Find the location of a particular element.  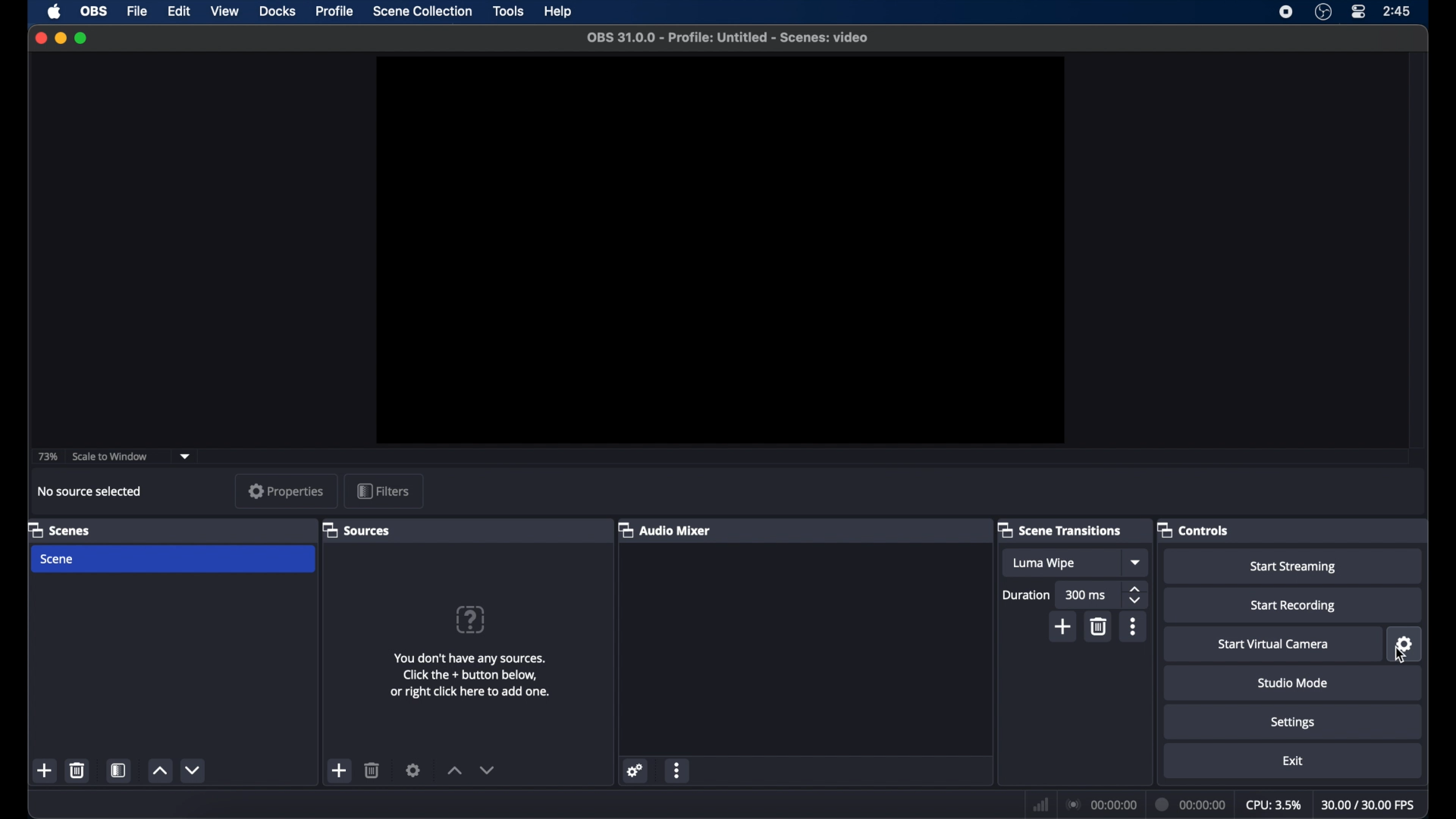

properties is located at coordinates (286, 491).